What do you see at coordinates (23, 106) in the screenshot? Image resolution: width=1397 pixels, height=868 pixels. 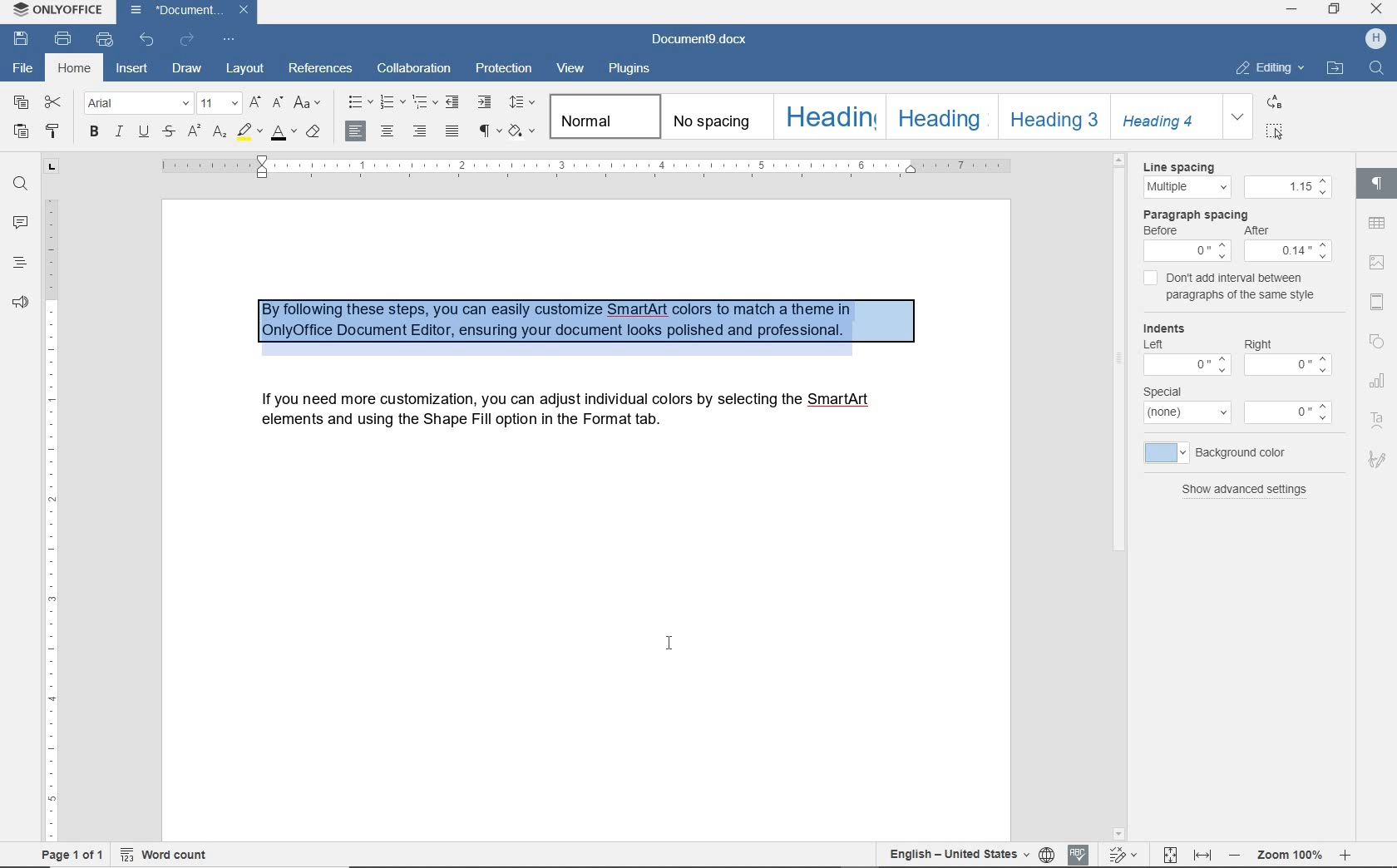 I see `copy` at bounding box center [23, 106].